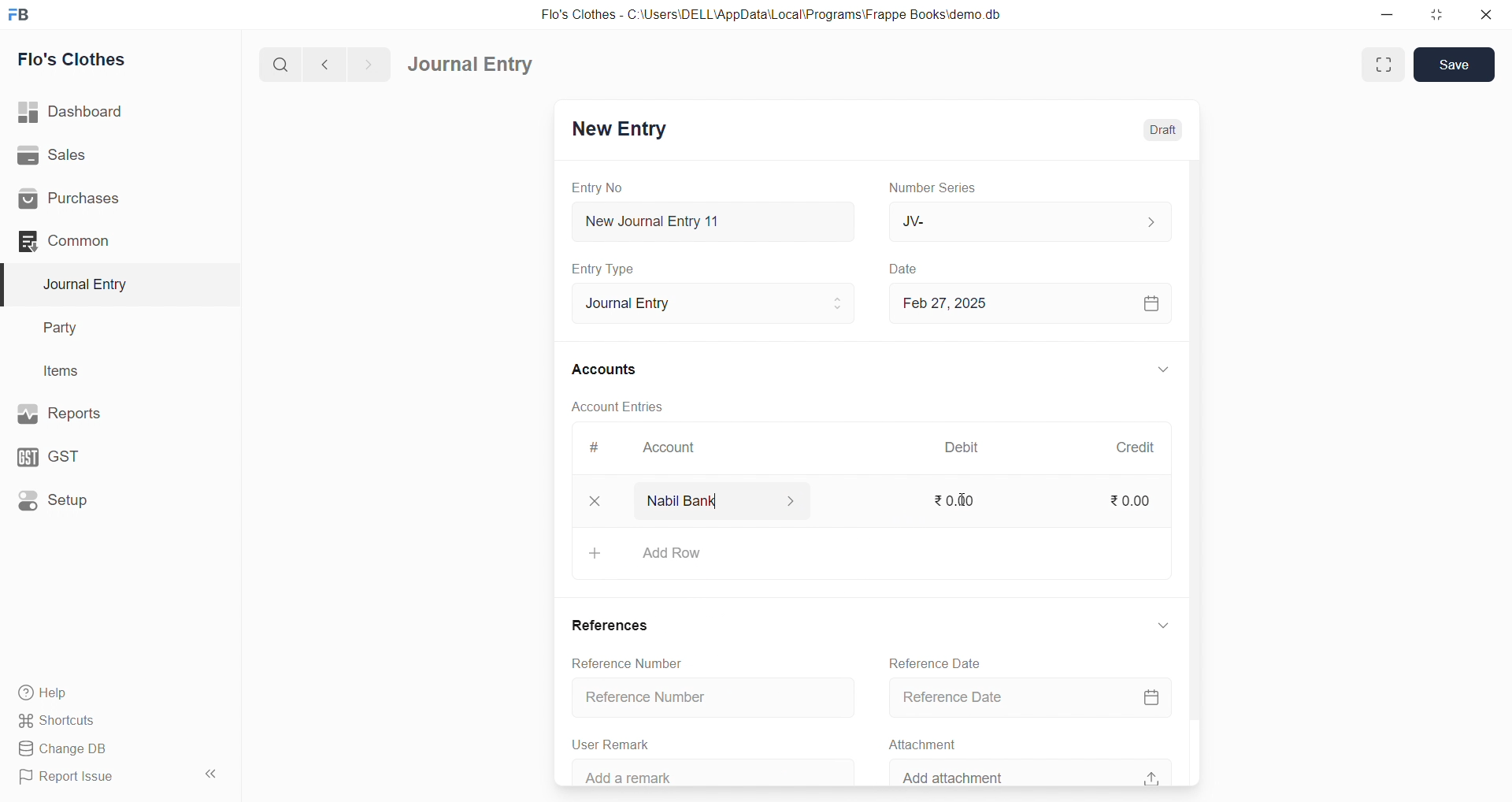 The width and height of the screenshot is (1512, 802). What do you see at coordinates (1164, 129) in the screenshot?
I see `Draft` at bounding box center [1164, 129].